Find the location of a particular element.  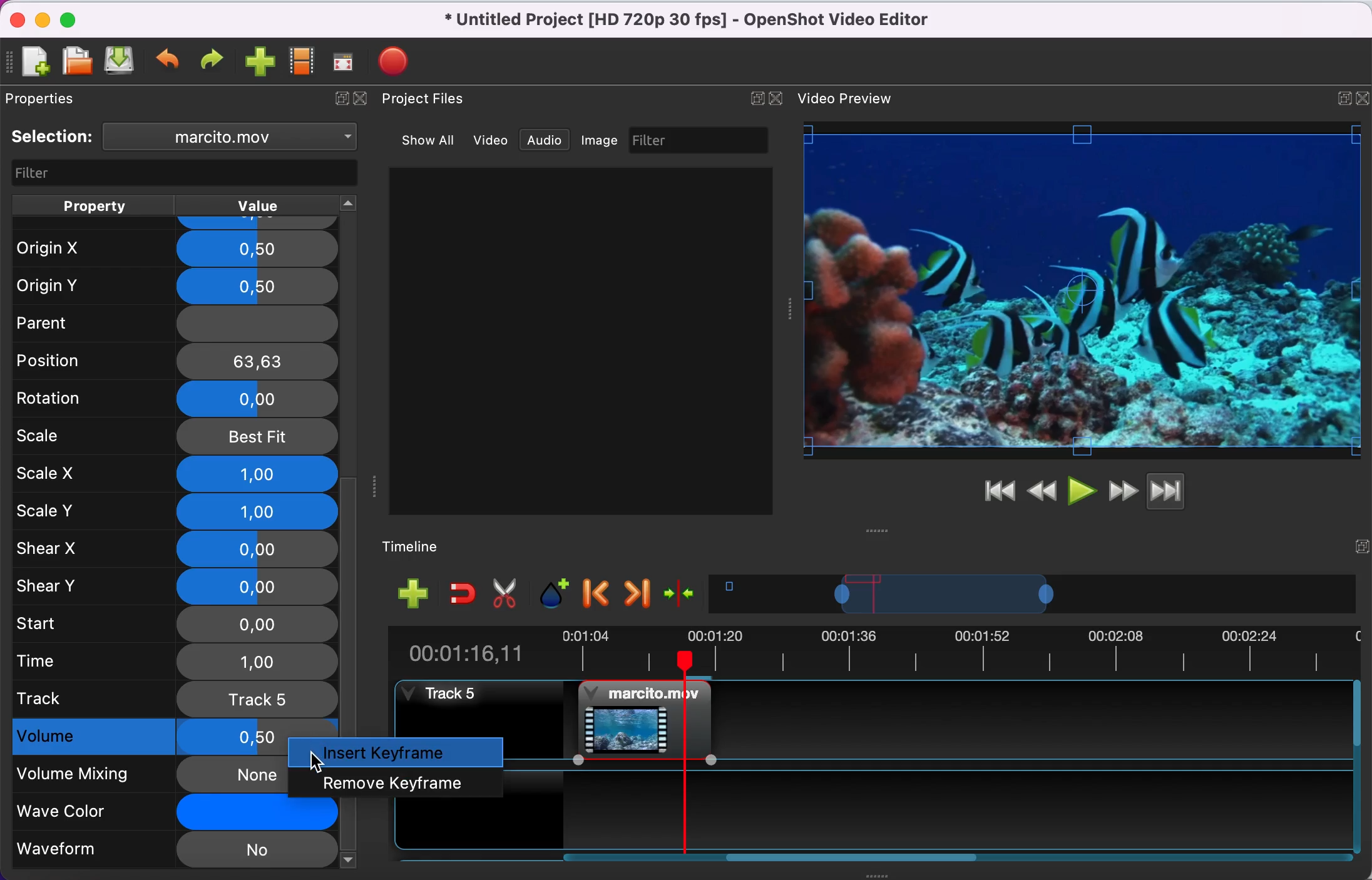

property is located at coordinates (95, 204).